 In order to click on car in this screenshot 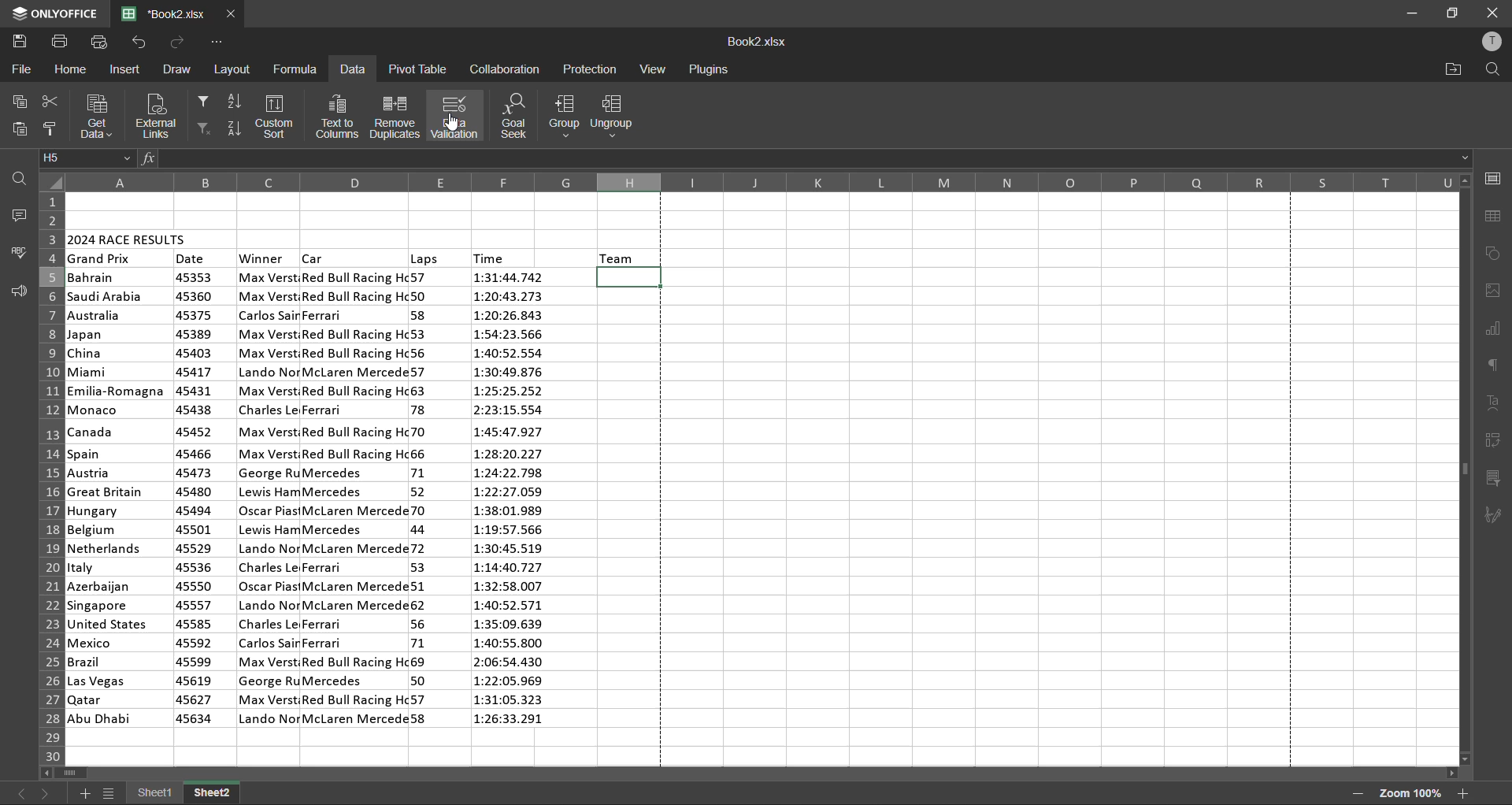, I will do `click(315, 257)`.